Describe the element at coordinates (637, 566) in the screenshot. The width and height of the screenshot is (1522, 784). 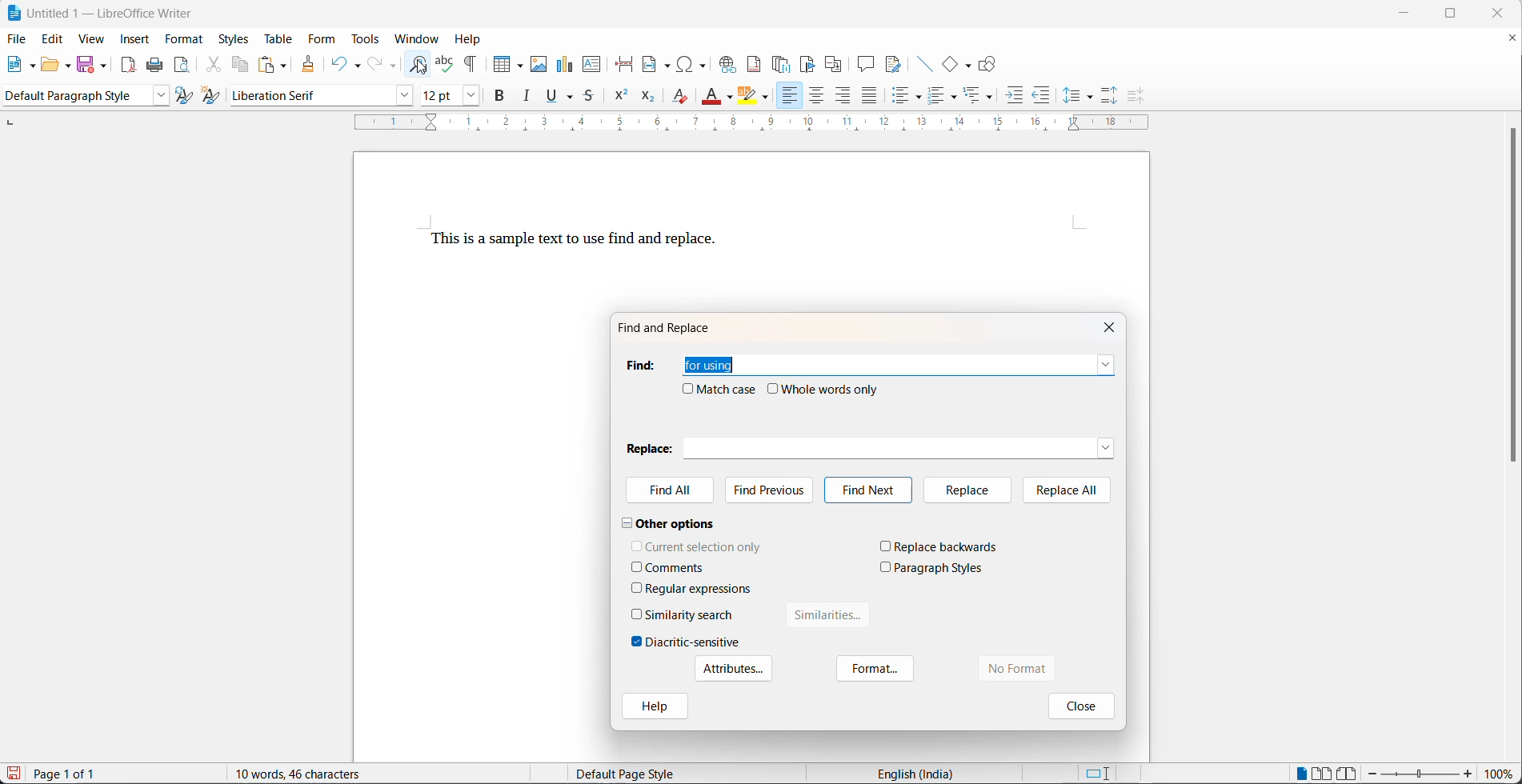
I see `checkbox` at that location.